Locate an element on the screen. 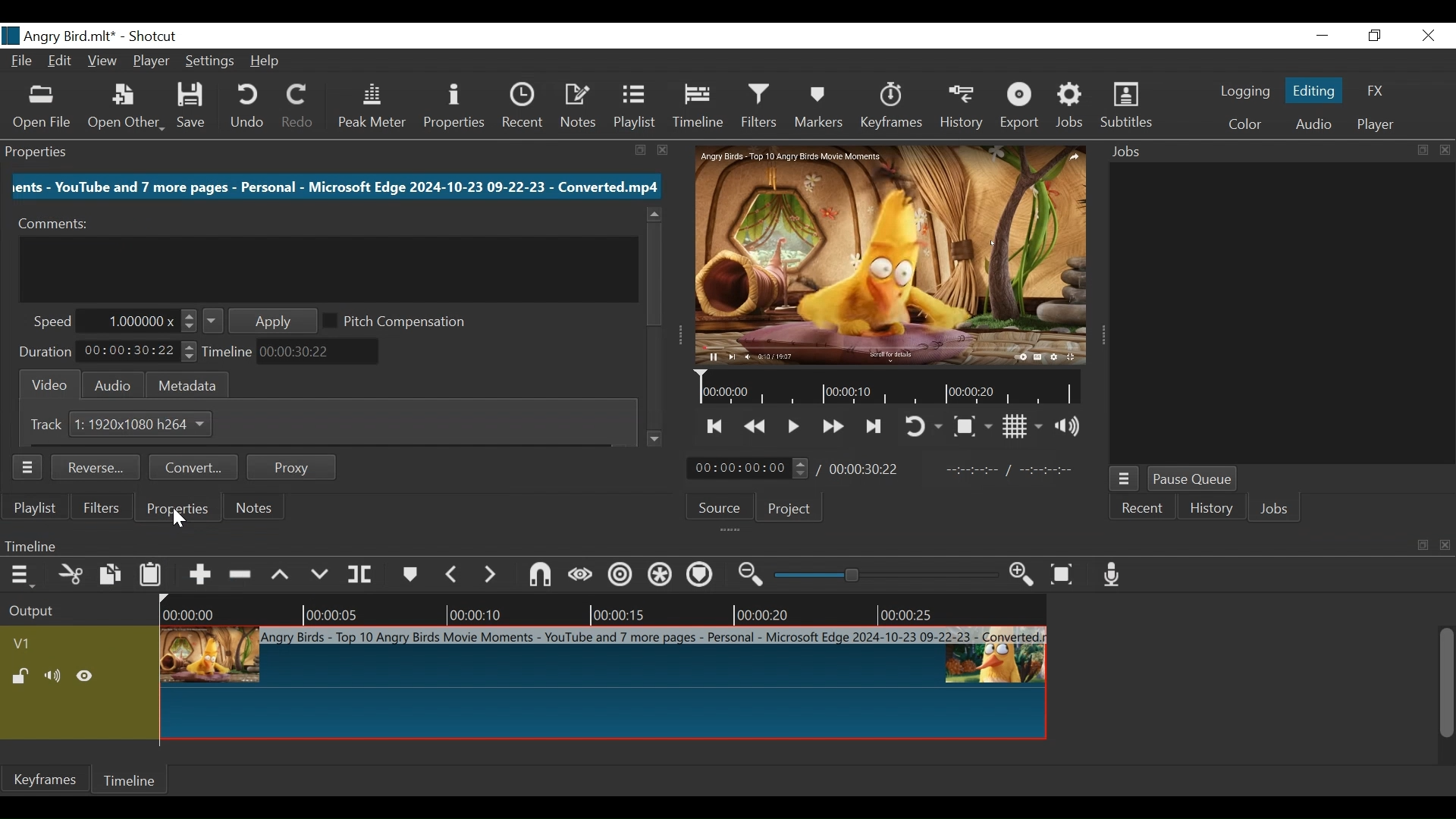  Record audio track is located at coordinates (1114, 576).